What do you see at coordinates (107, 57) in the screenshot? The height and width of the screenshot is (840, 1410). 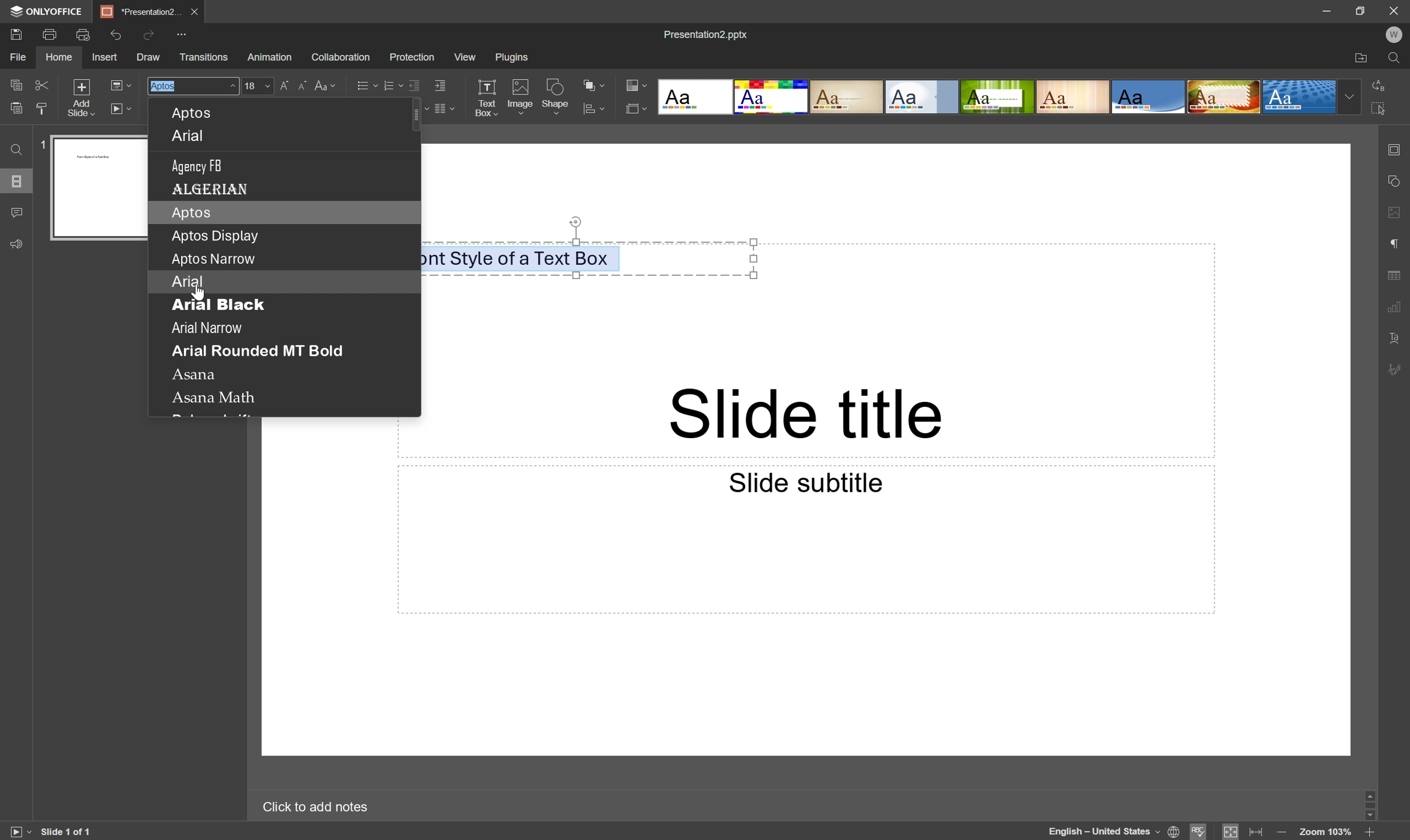 I see `Insert` at bounding box center [107, 57].